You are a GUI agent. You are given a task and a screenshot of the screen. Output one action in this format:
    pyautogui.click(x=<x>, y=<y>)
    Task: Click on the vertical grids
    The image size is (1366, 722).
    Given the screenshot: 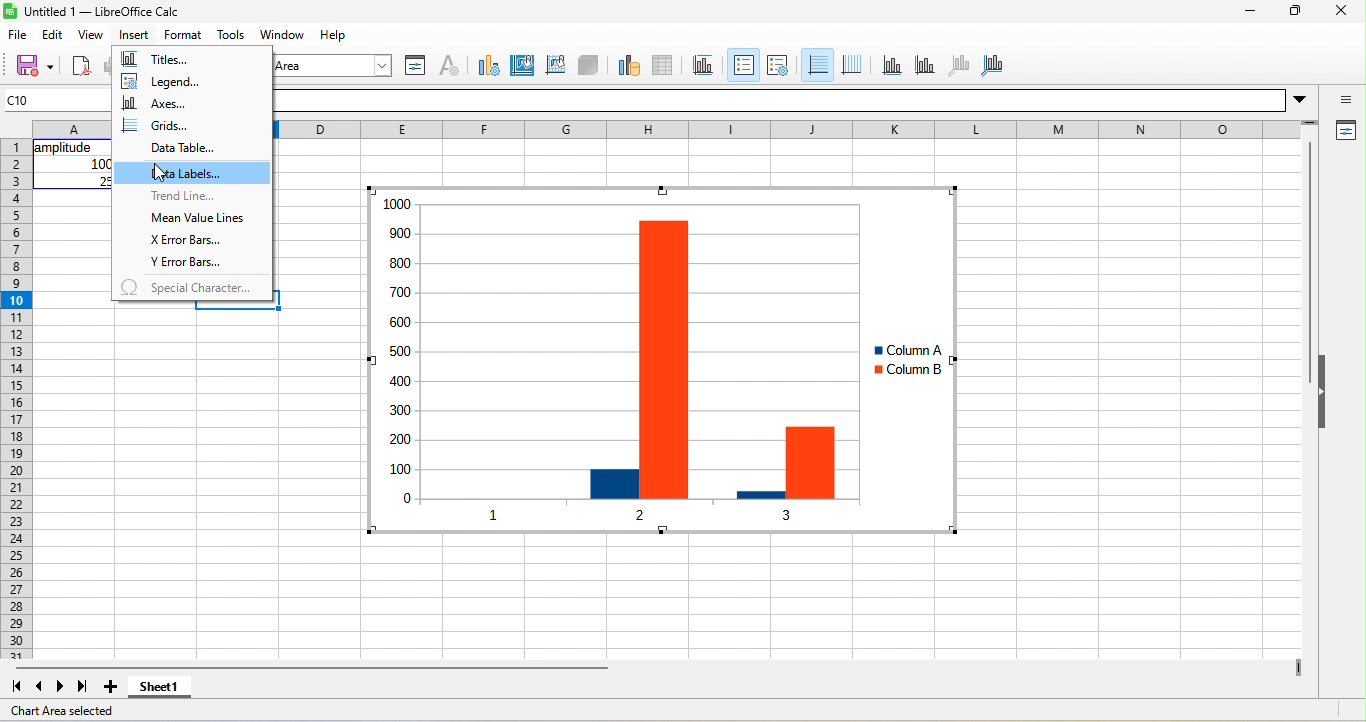 What is the action you would take?
    pyautogui.click(x=852, y=65)
    